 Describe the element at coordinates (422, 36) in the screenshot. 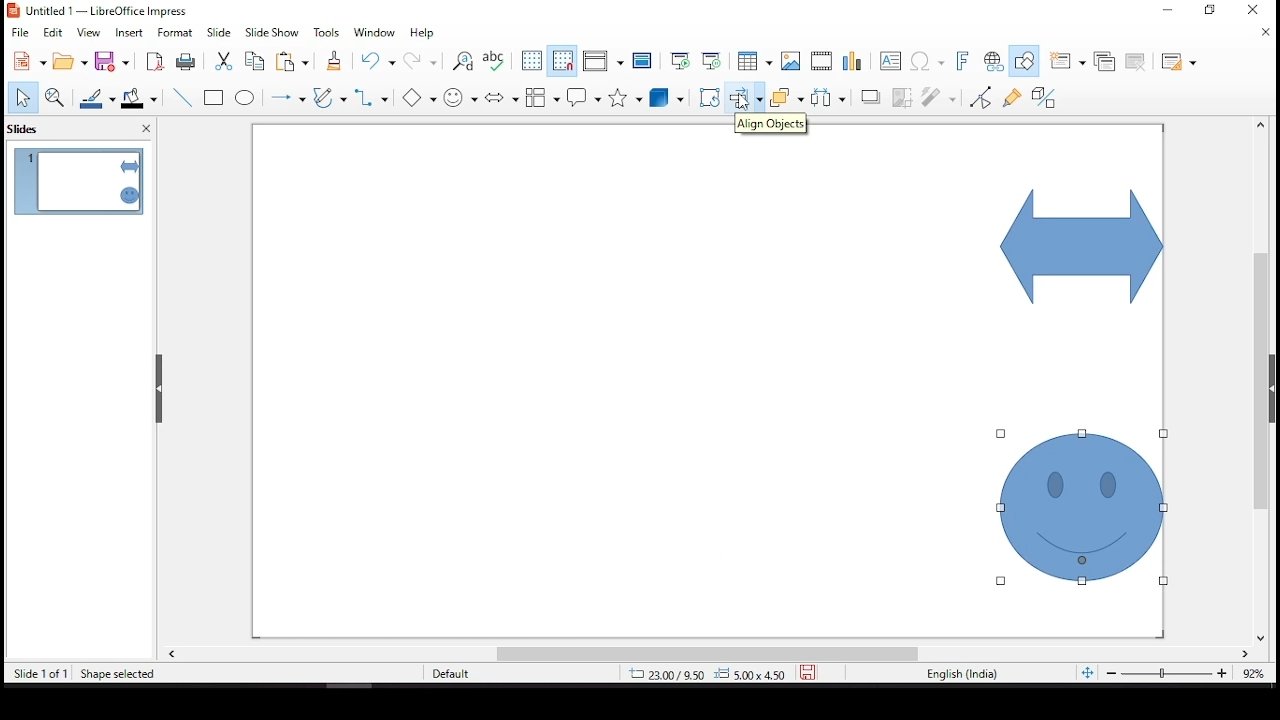

I see `help` at that location.